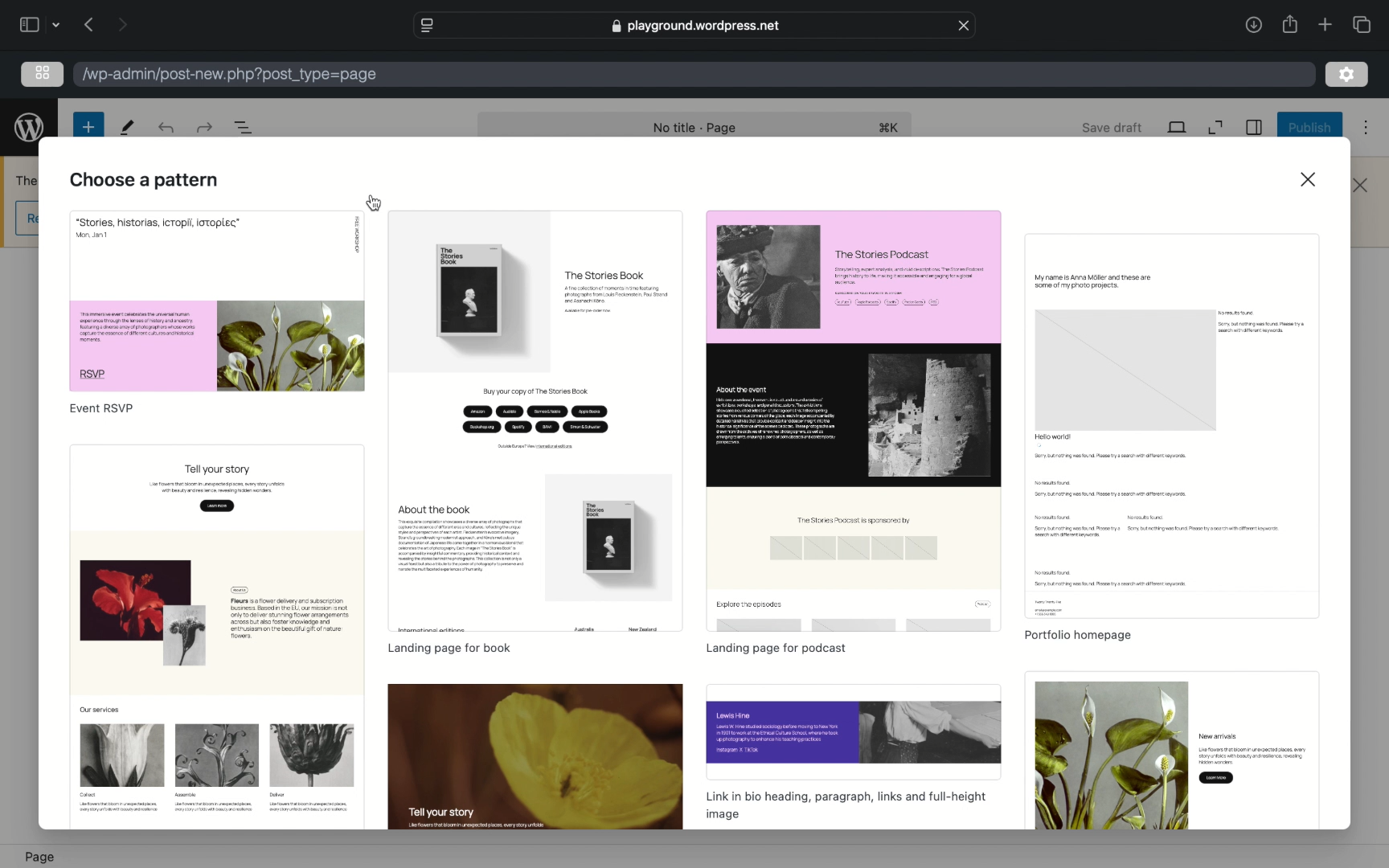  What do you see at coordinates (536, 757) in the screenshot?
I see `preview` at bounding box center [536, 757].